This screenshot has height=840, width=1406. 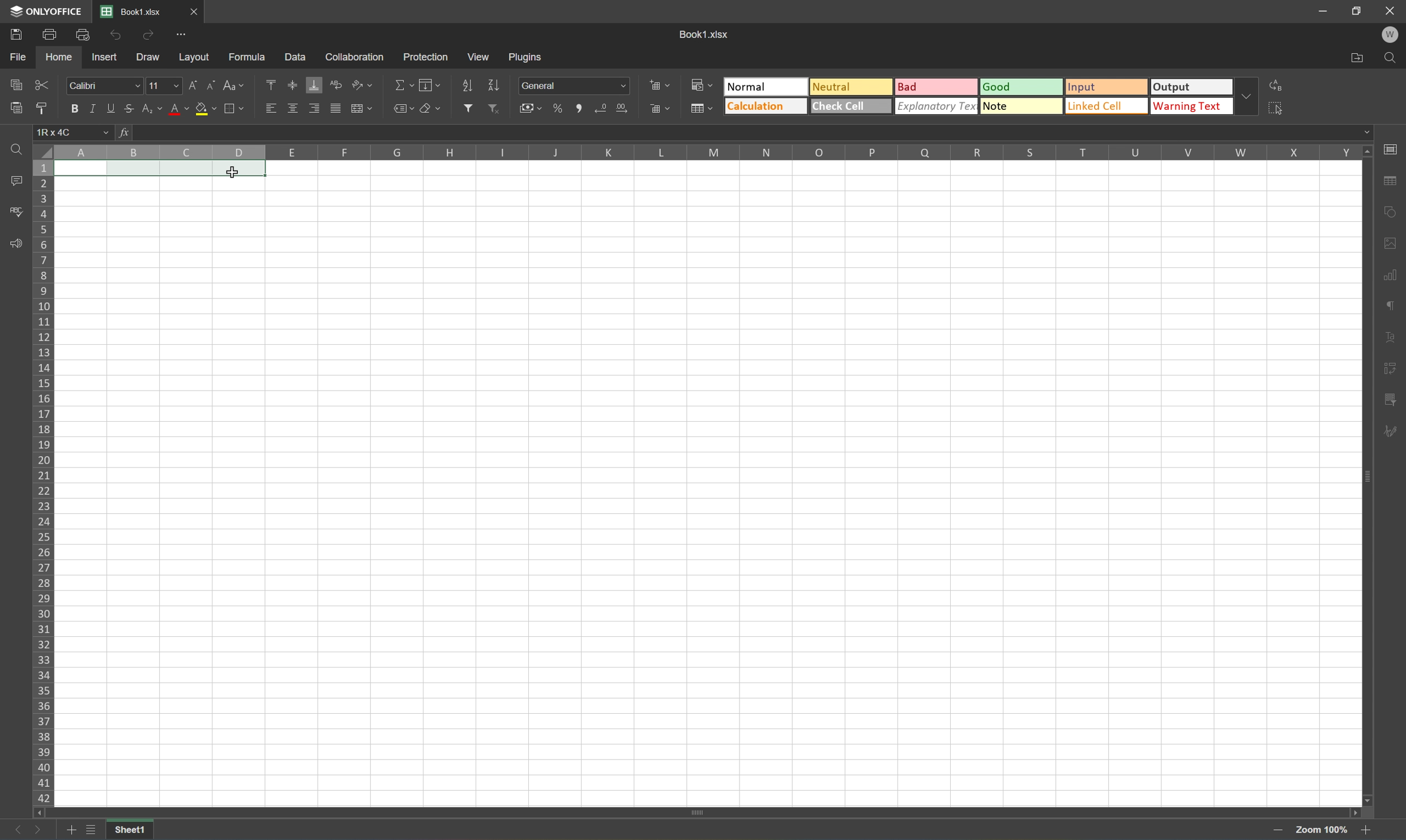 I want to click on Customize Quick Access Toolbar, so click(x=183, y=38).